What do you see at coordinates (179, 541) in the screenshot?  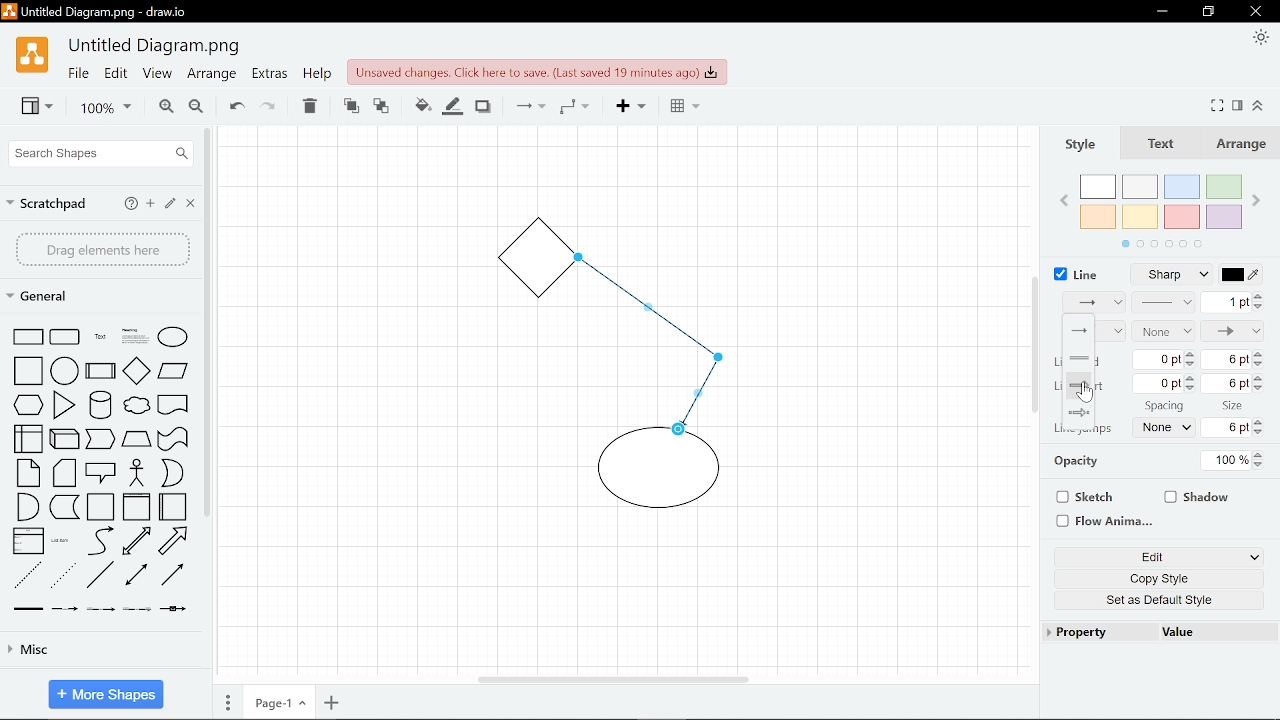 I see `shape` at bounding box center [179, 541].